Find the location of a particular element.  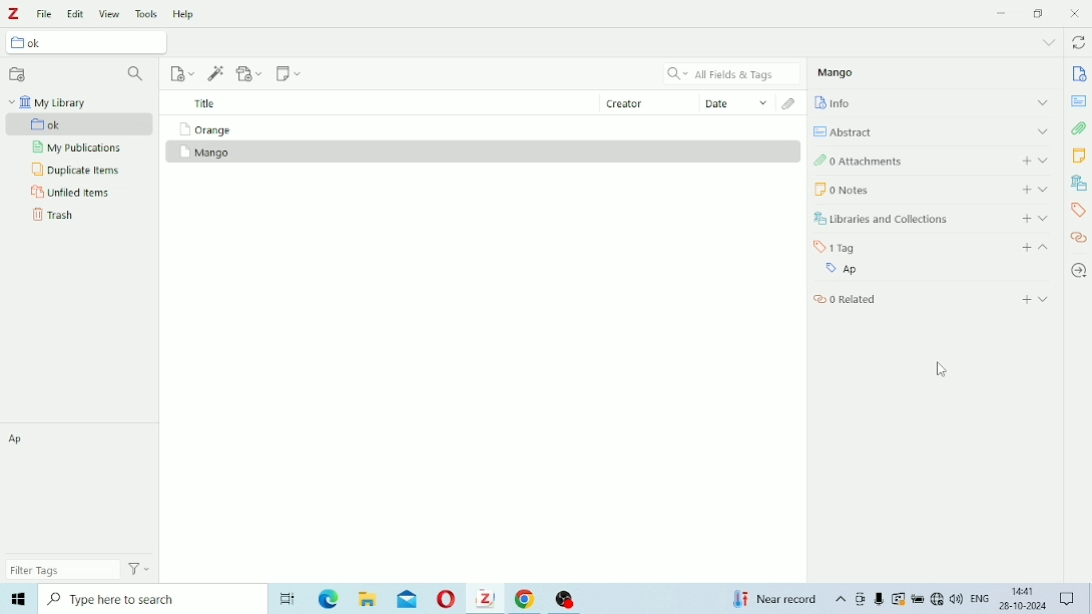

Locate is located at coordinates (1078, 271).